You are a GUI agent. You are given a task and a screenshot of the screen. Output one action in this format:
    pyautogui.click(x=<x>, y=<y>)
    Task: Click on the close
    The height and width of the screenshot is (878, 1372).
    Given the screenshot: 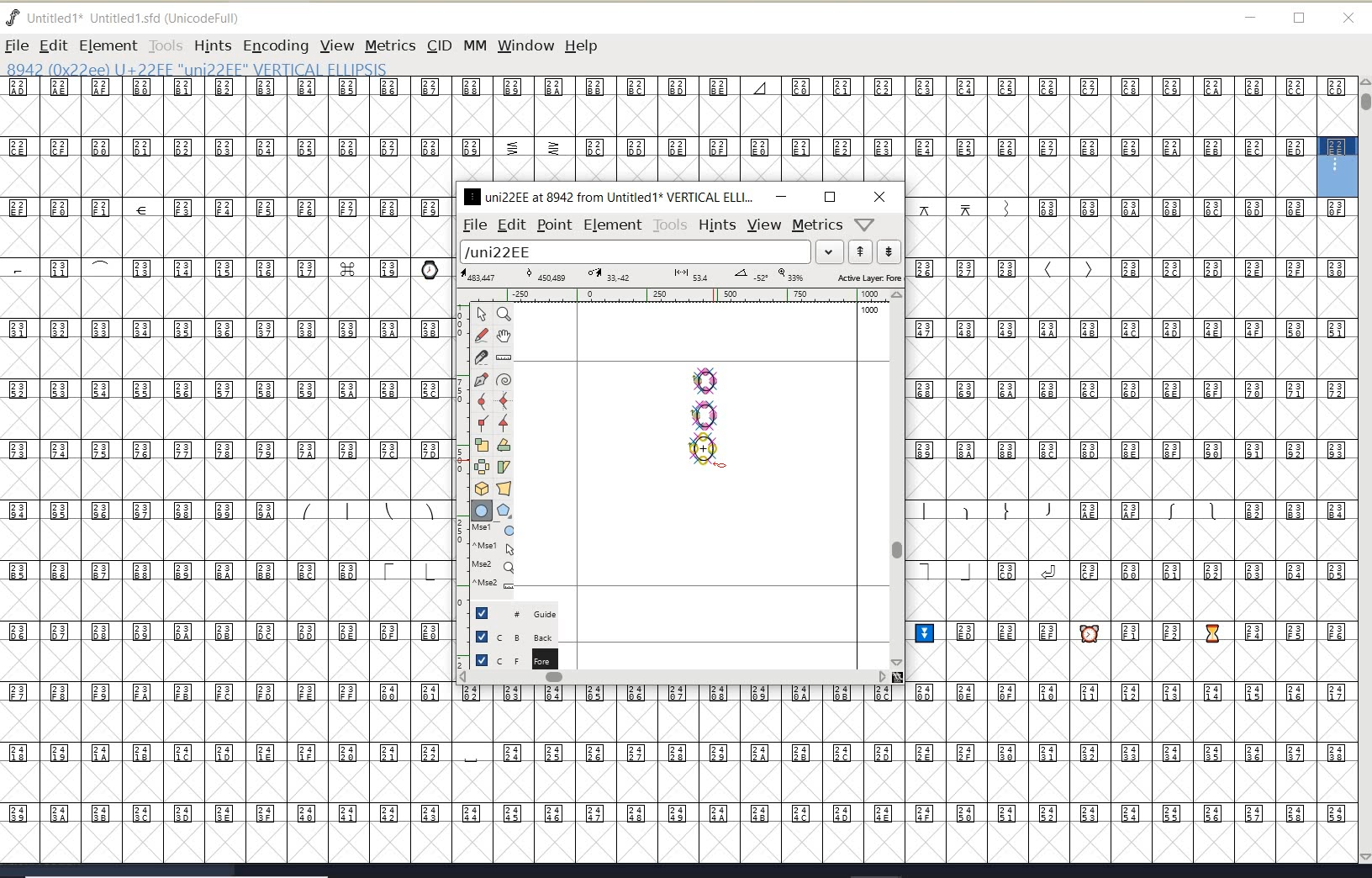 What is the action you would take?
    pyautogui.click(x=1348, y=19)
    